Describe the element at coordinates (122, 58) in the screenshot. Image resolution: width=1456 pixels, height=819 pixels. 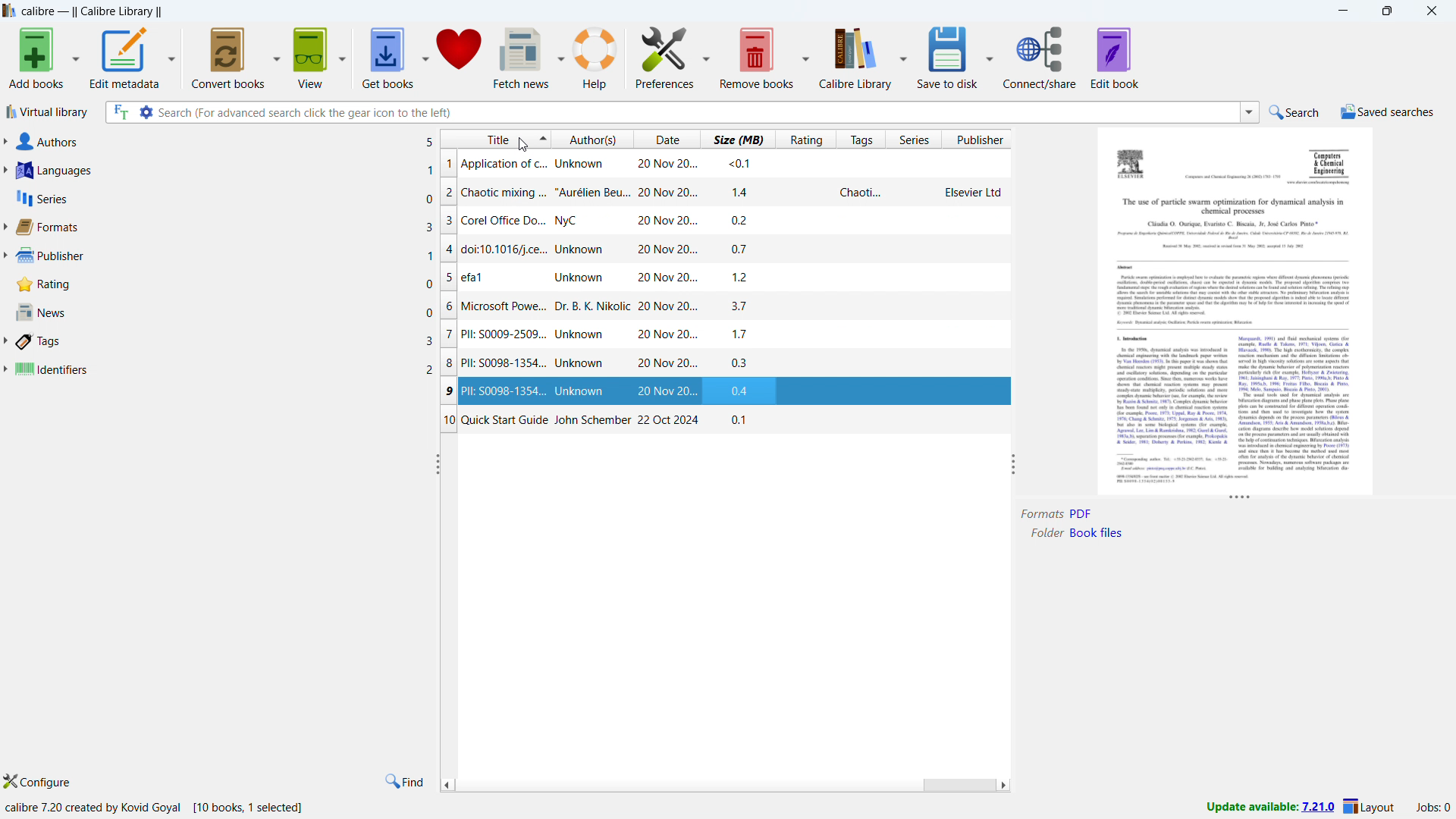
I see `edit metadata` at that location.